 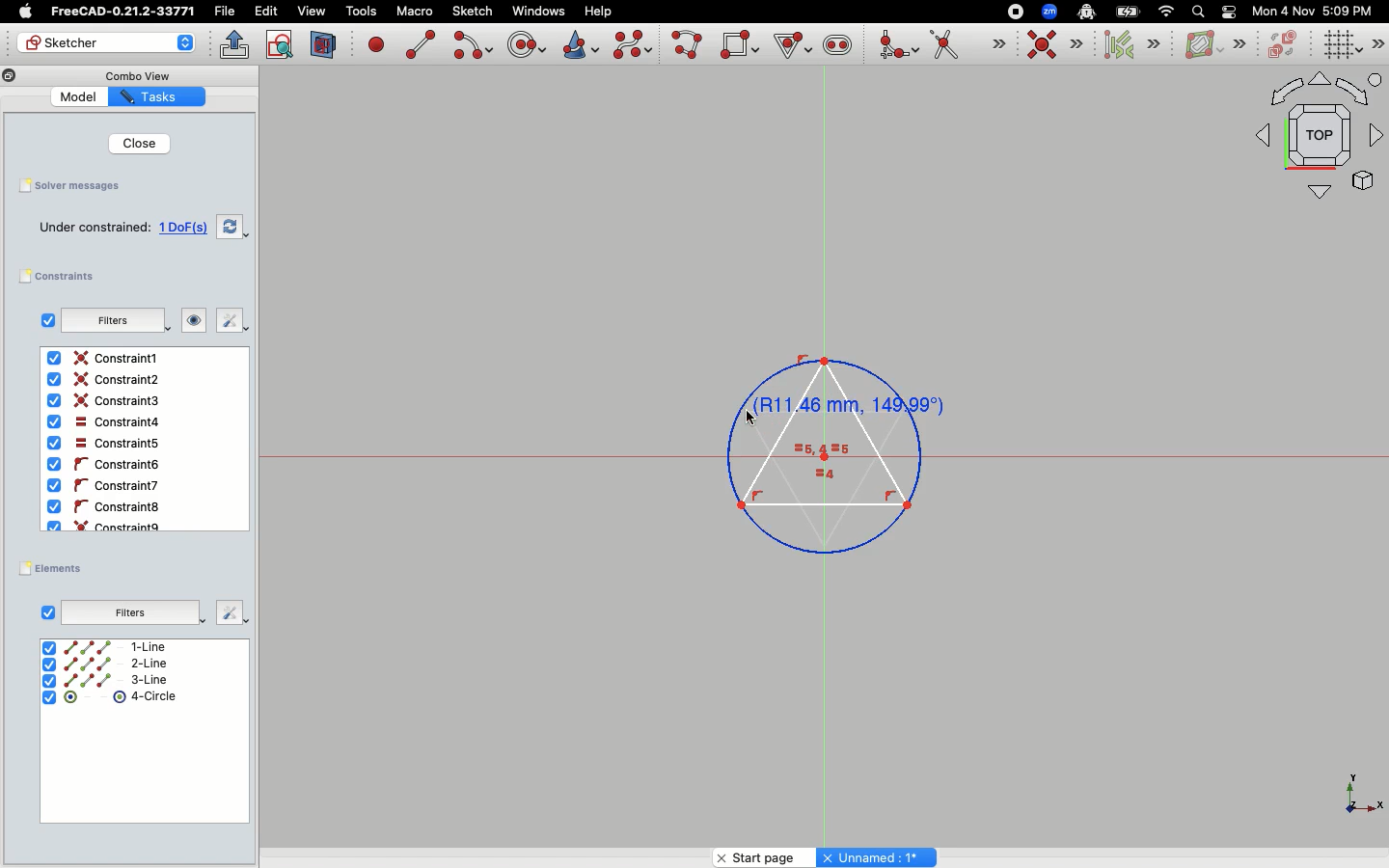 I want to click on Create Regular Polygon, so click(x=791, y=46).